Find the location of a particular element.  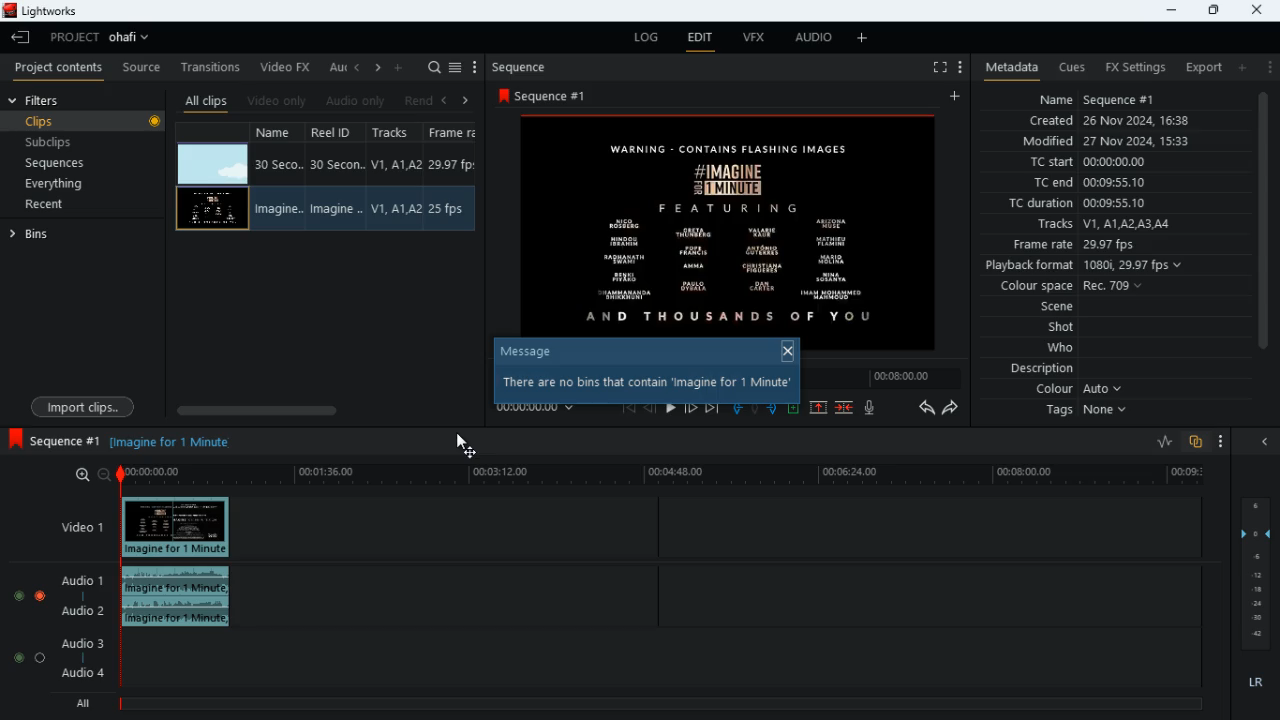

fps is located at coordinates (454, 134).